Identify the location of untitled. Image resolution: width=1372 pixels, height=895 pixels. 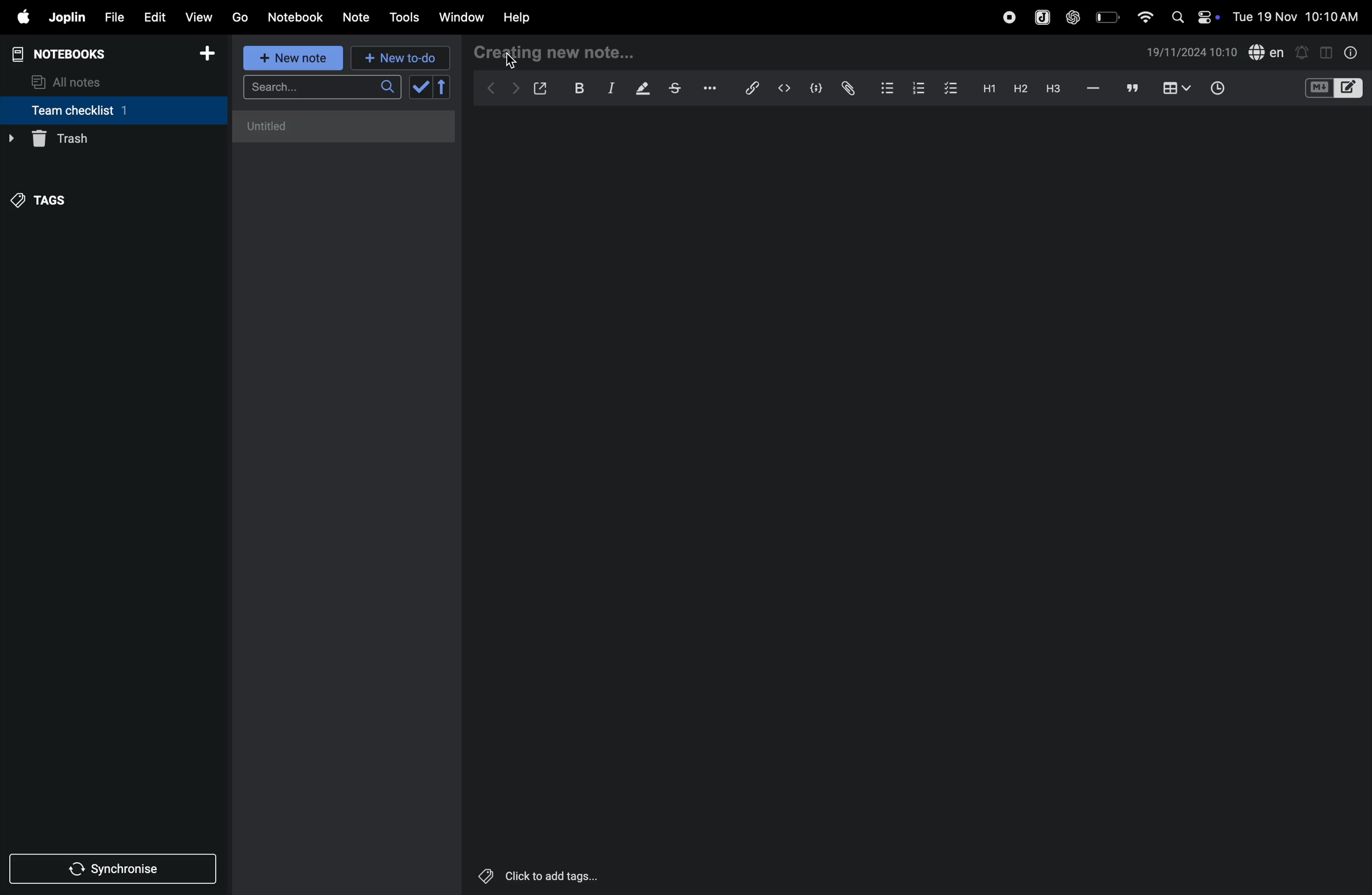
(348, 123).